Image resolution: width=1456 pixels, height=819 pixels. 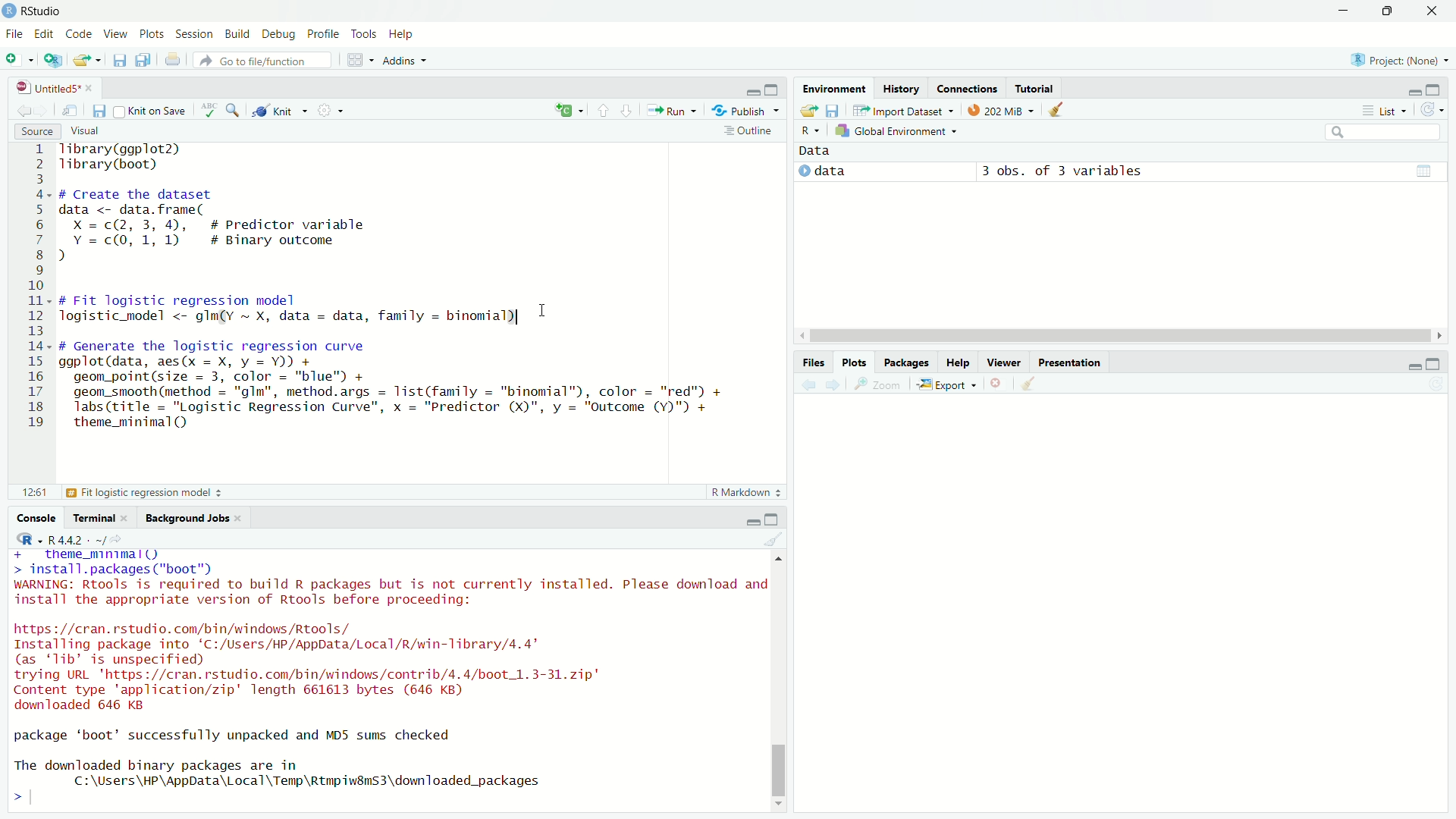 I want to click on Profile, so click(x=322, y=33).